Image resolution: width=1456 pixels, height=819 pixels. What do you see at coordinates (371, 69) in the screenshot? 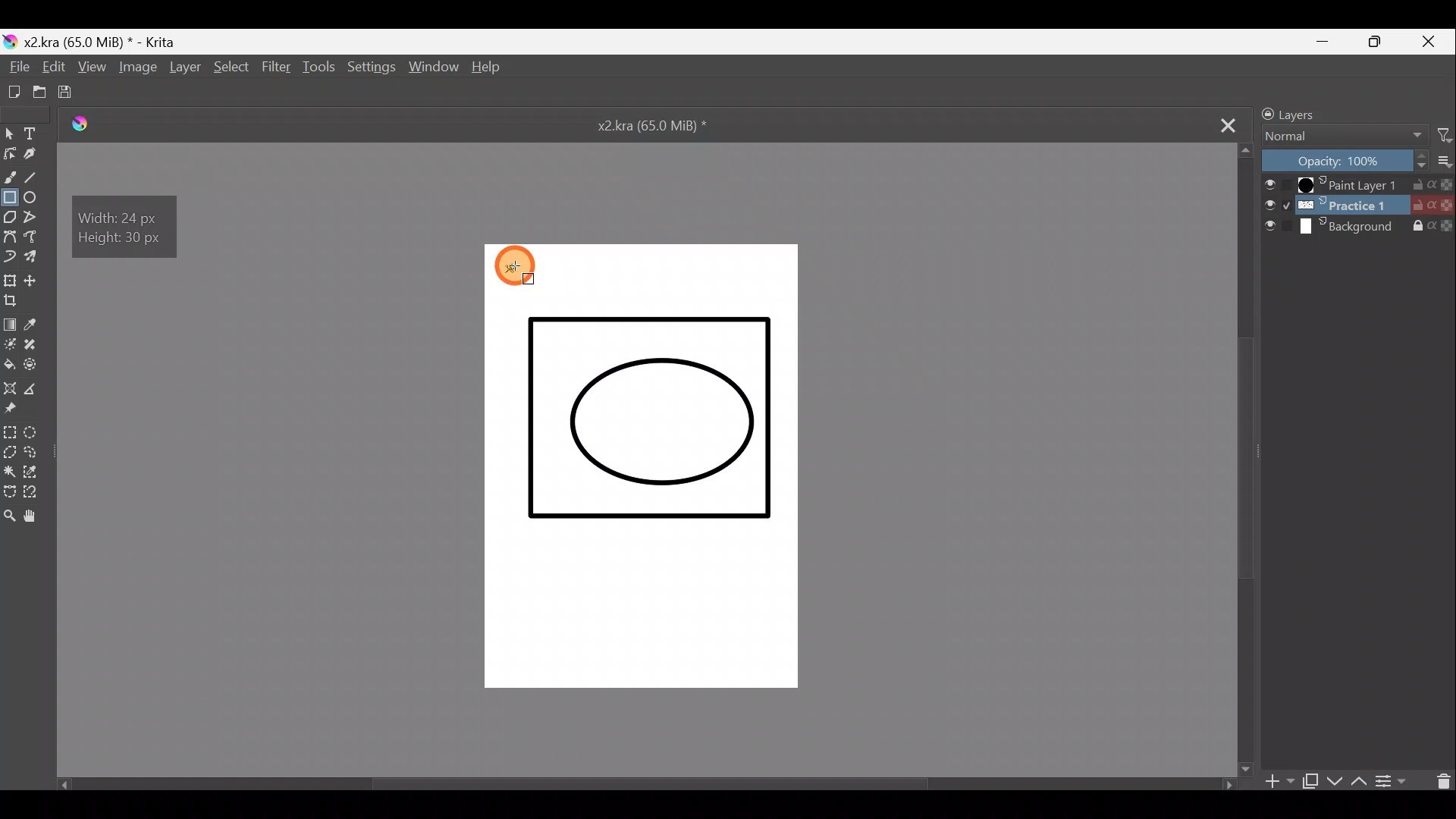
I see `Settings` at bounding box center [371, 69].